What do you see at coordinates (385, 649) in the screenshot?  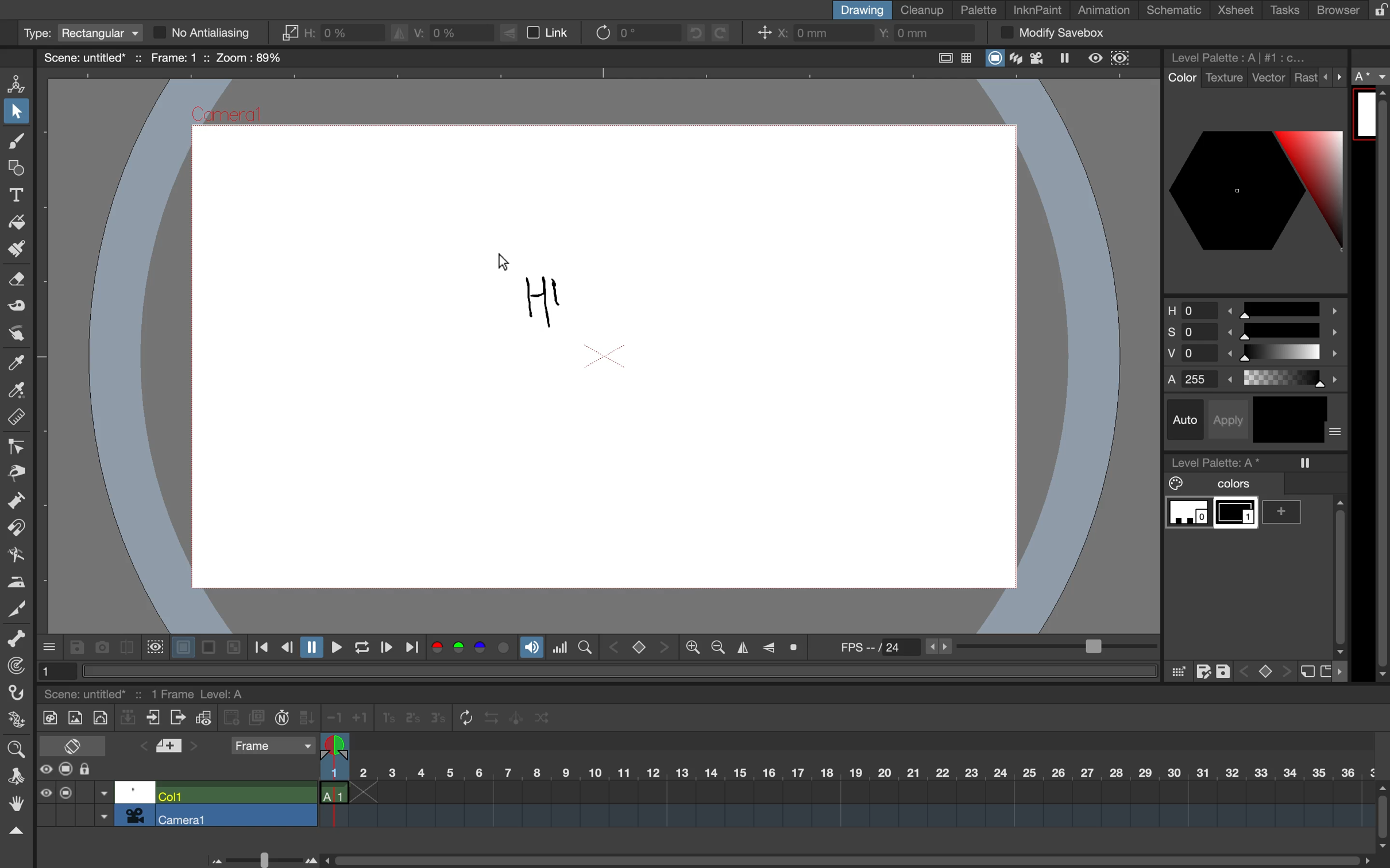 I see `next frame` at bounding box center [385, 649].